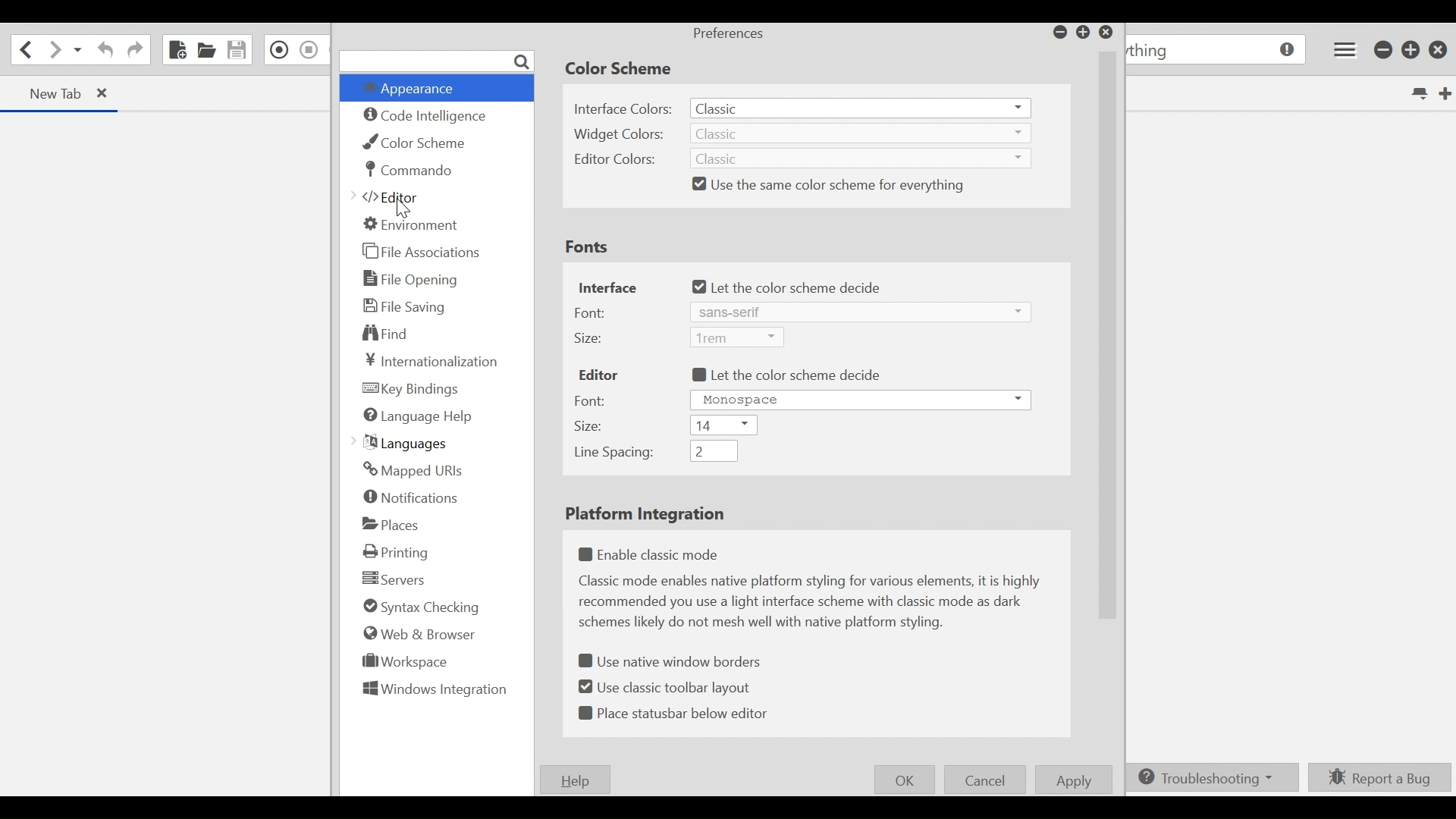  I want to click on Web & Browser, so click(422, 635).